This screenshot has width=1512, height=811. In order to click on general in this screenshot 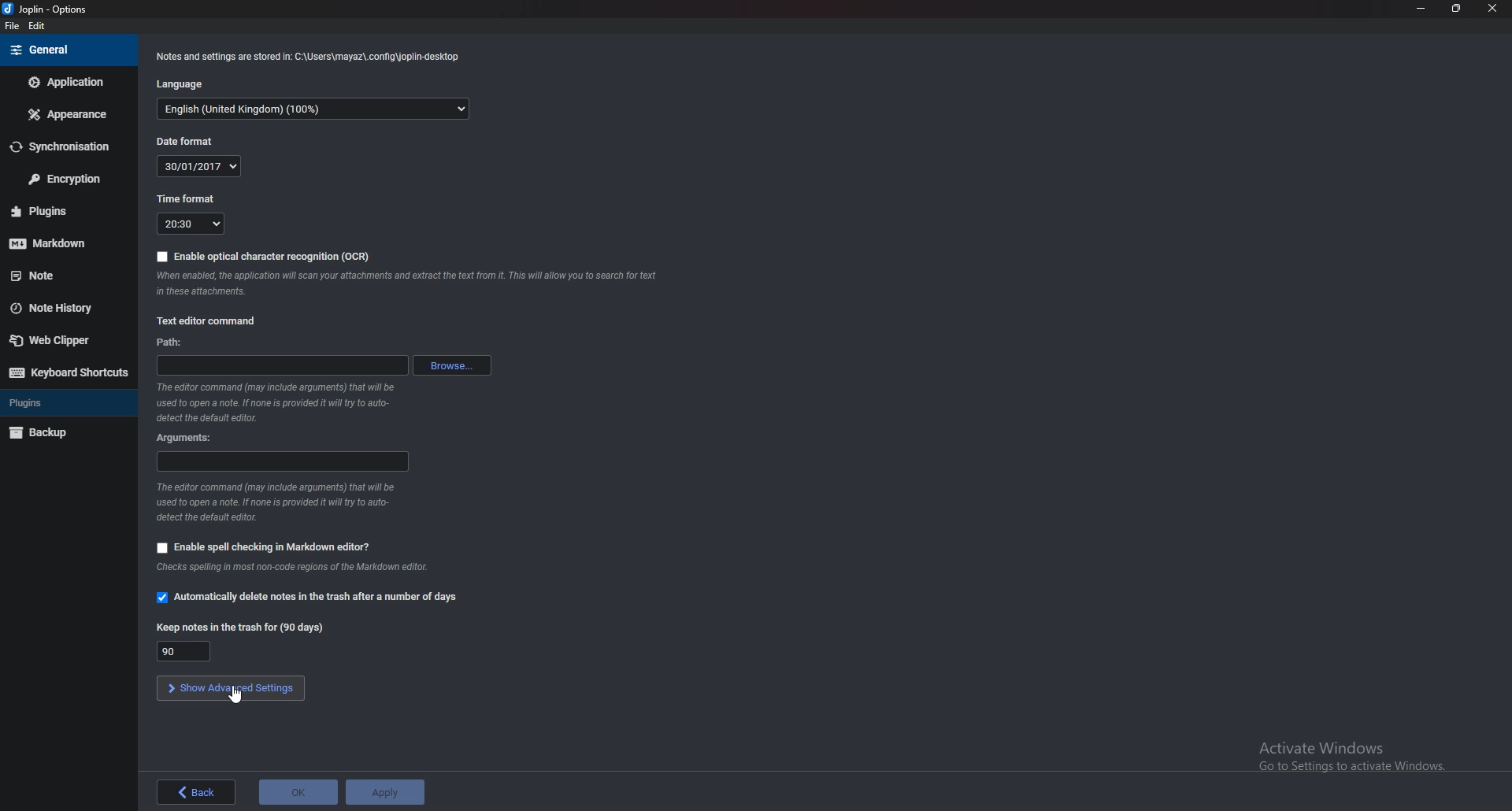, I will do `click(68, 49)`.